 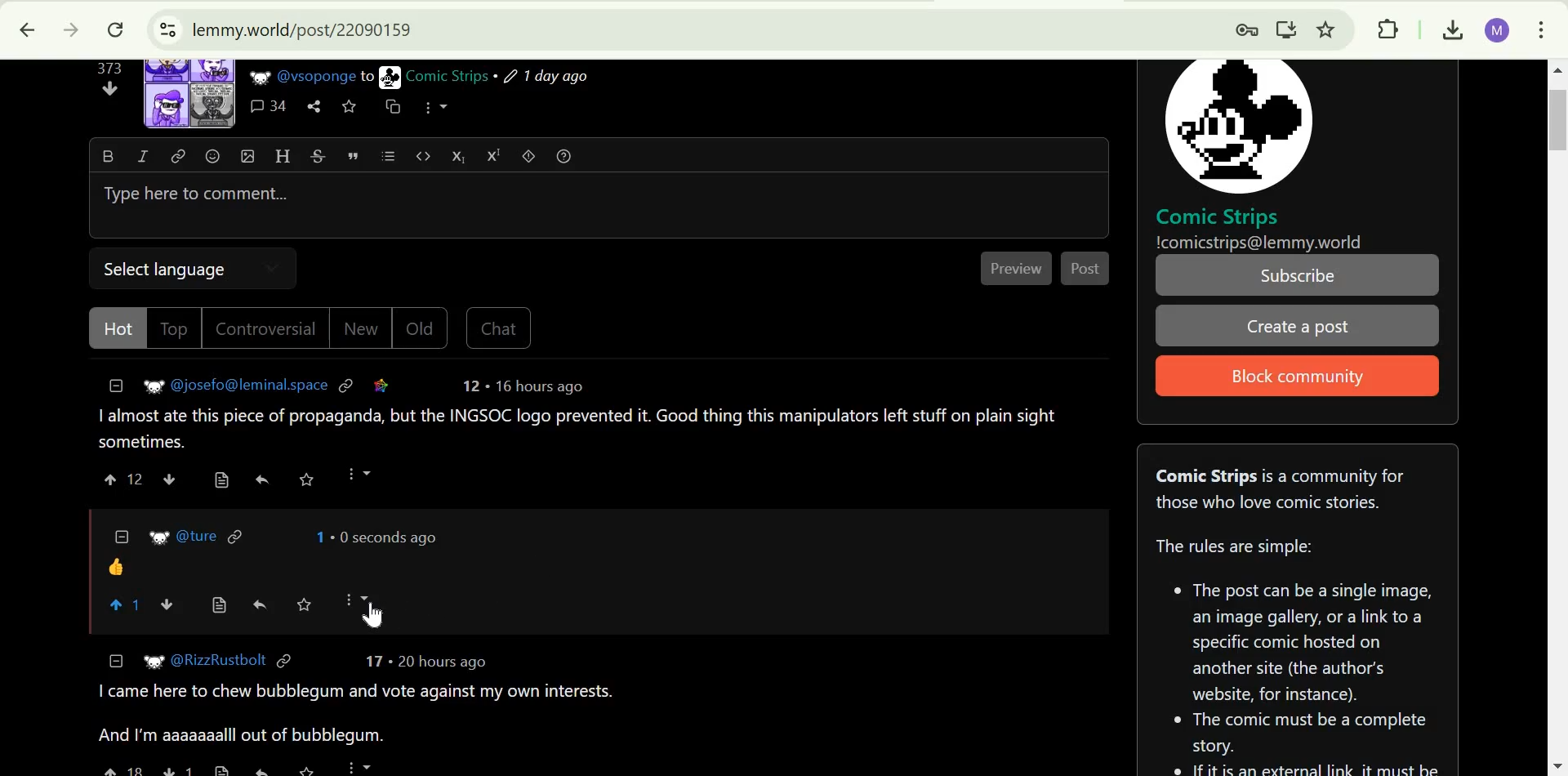 What do you see at coordinates (1299, 649) in the screenshot?
I see `Community guidelines` at bounding box center [1299, 649].